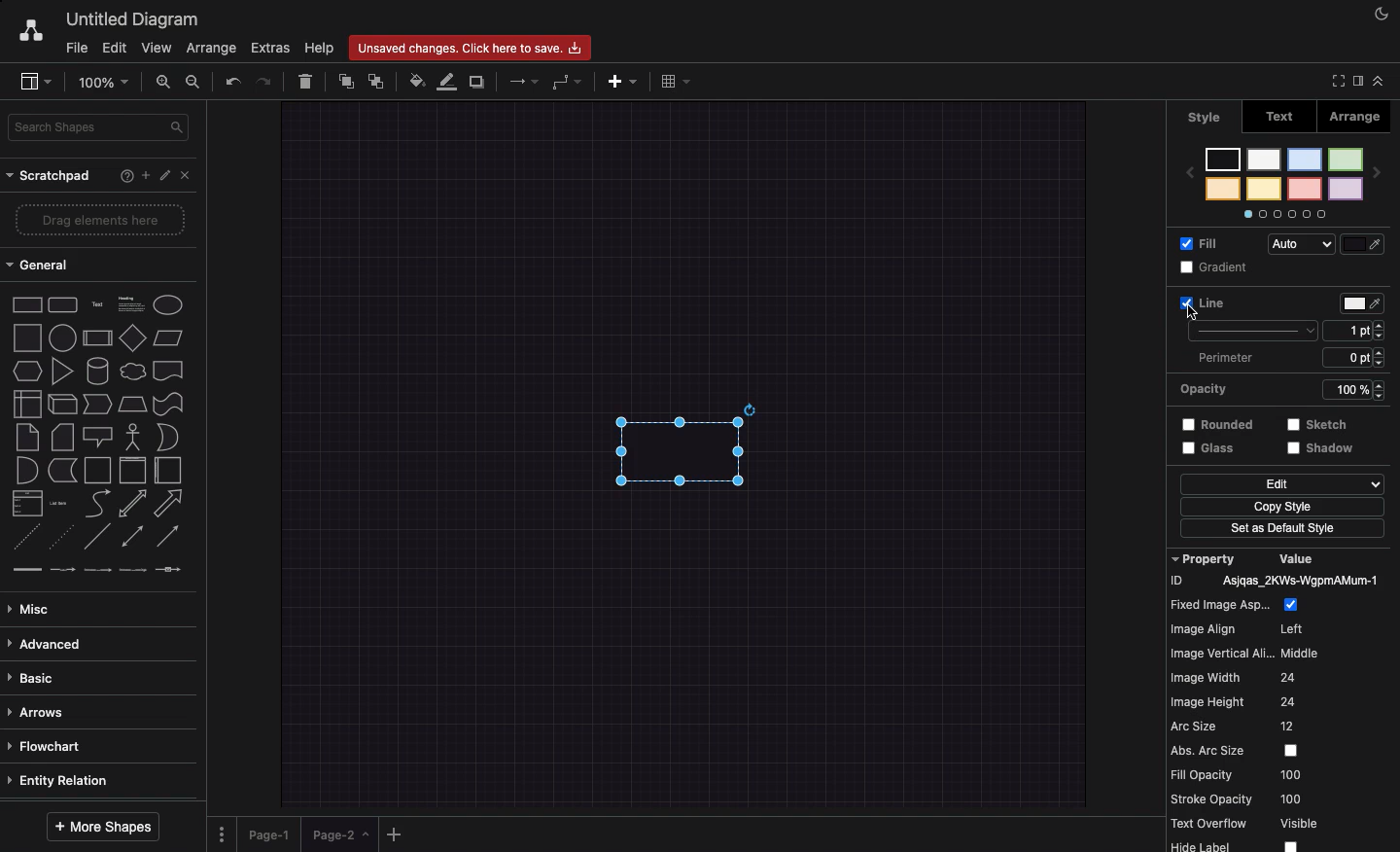  What do you see at coordinates (46, 641) in the screenshot?
I see `Advanced` at bounding box center [46, 641].